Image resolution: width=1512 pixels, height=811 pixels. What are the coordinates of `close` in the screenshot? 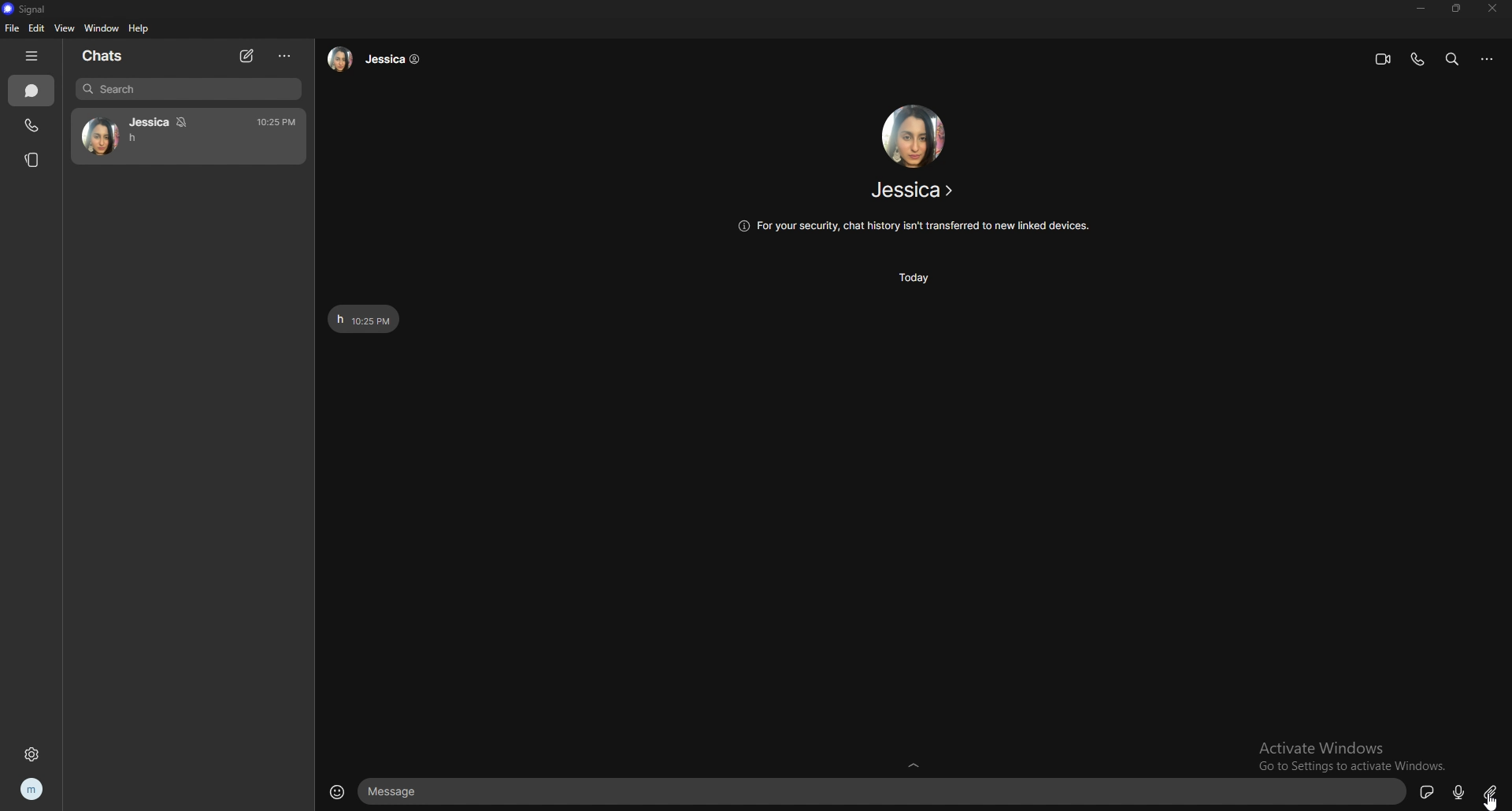 It's located at (1494, 9).